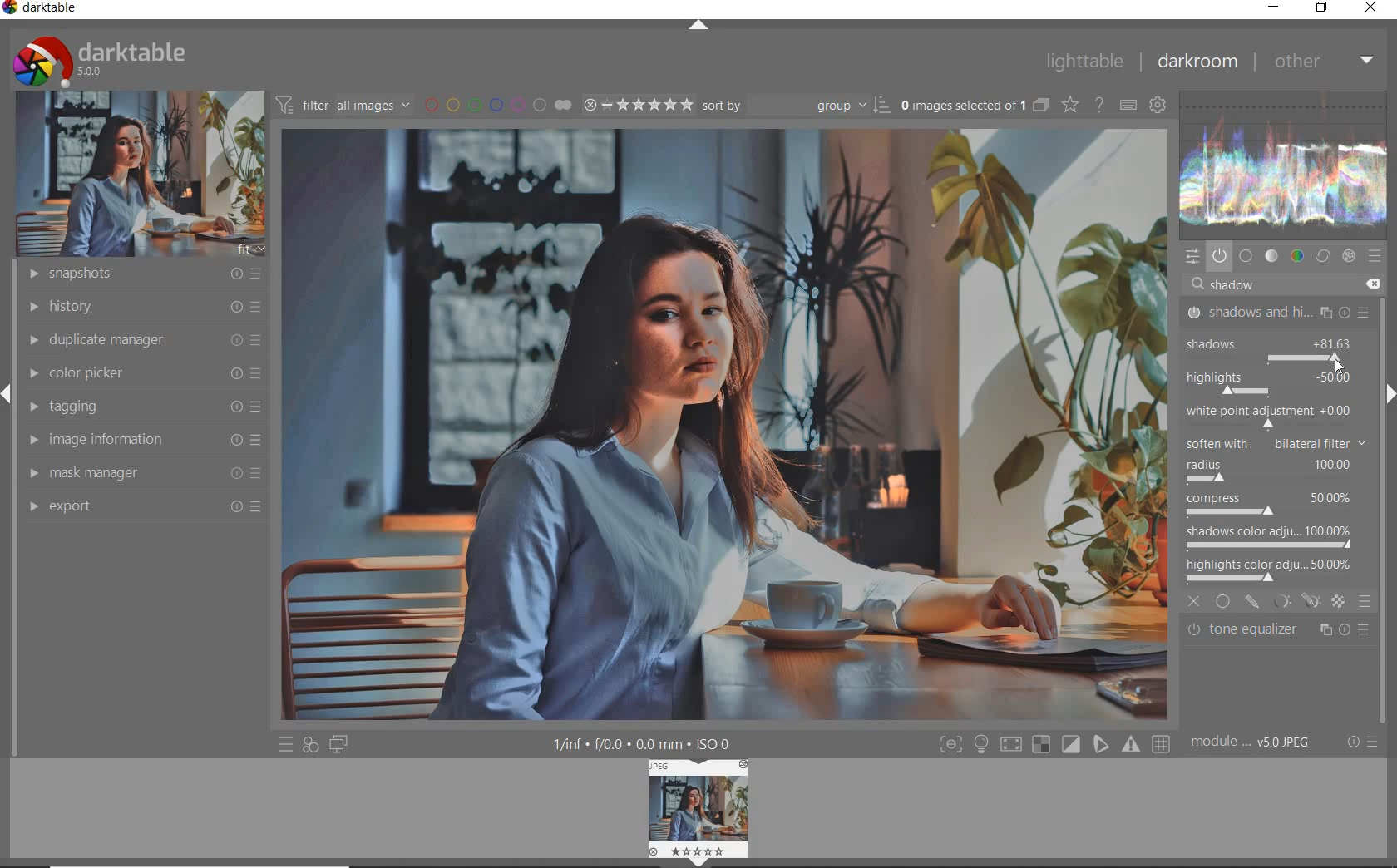 Image resolution: width=1397 pixels, height=868 pixels. What do you see at coordinates (129, 60) in the screenshot?
I see `darktable` at bounding box center [129, 60].